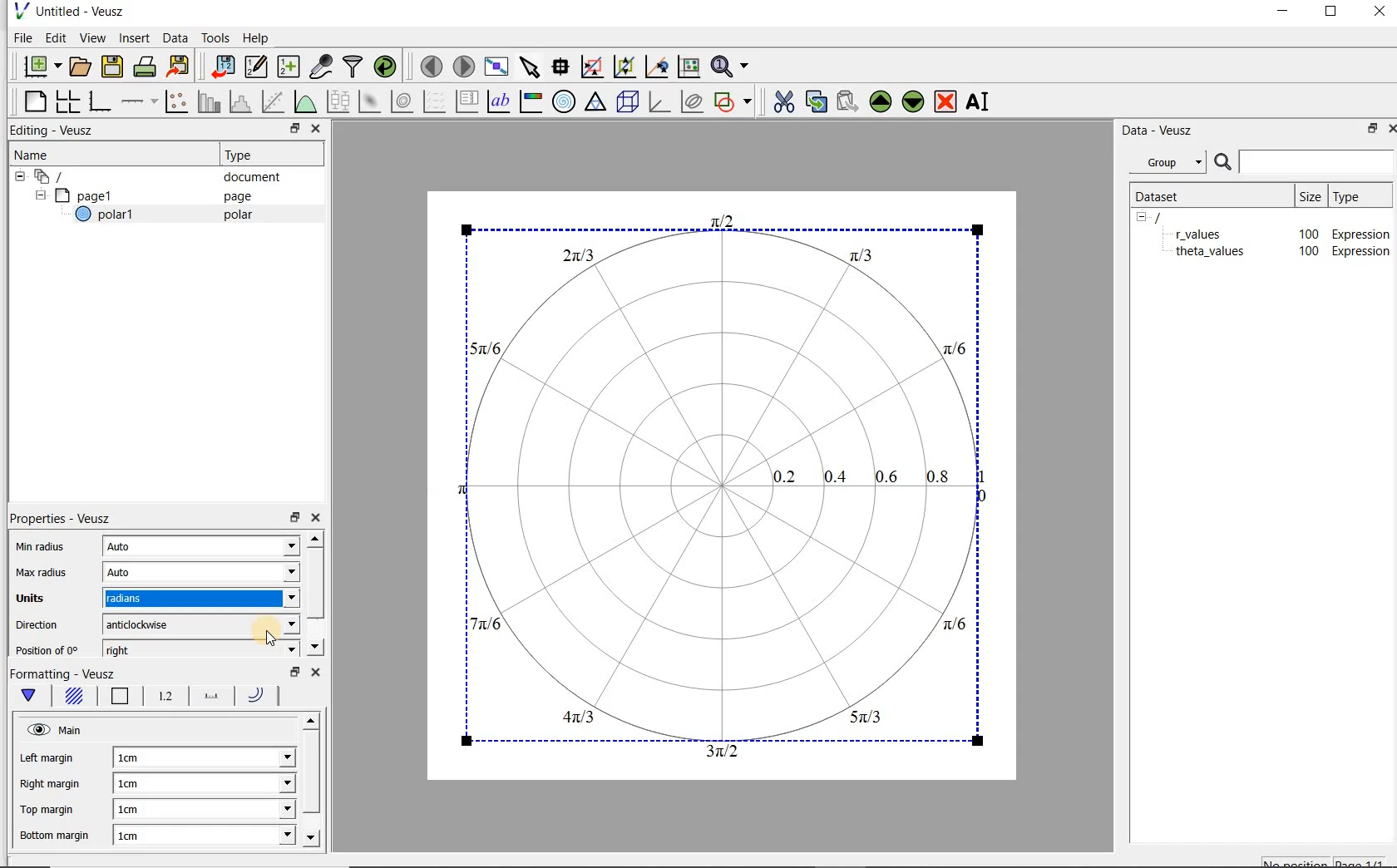  What do you see at coordinates (257, 67) in the screenshot?
I see `Edit and enter new datasets` at bounding box center [257, 67].